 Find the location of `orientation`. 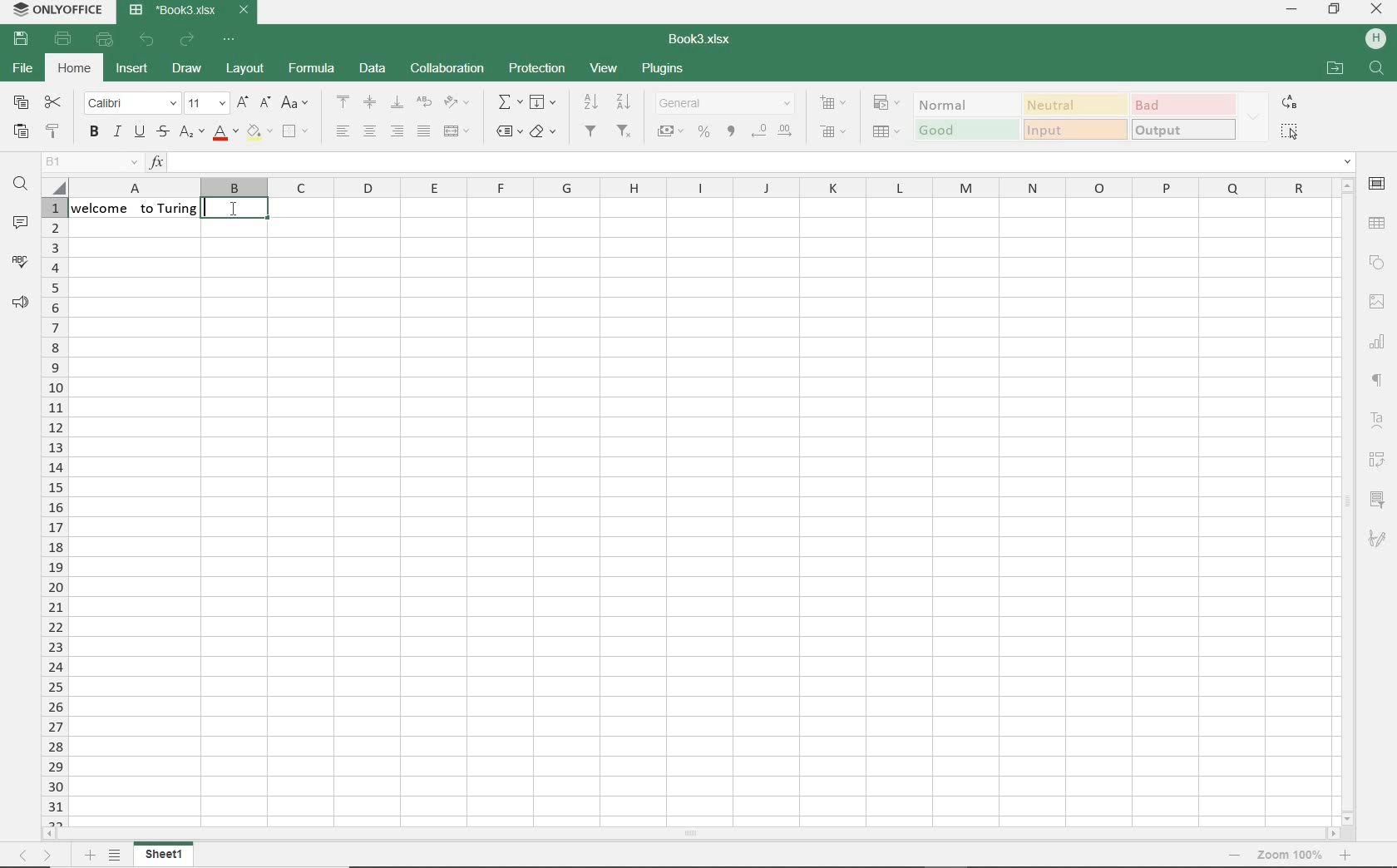

orientation is located at coordinates (456, 104).